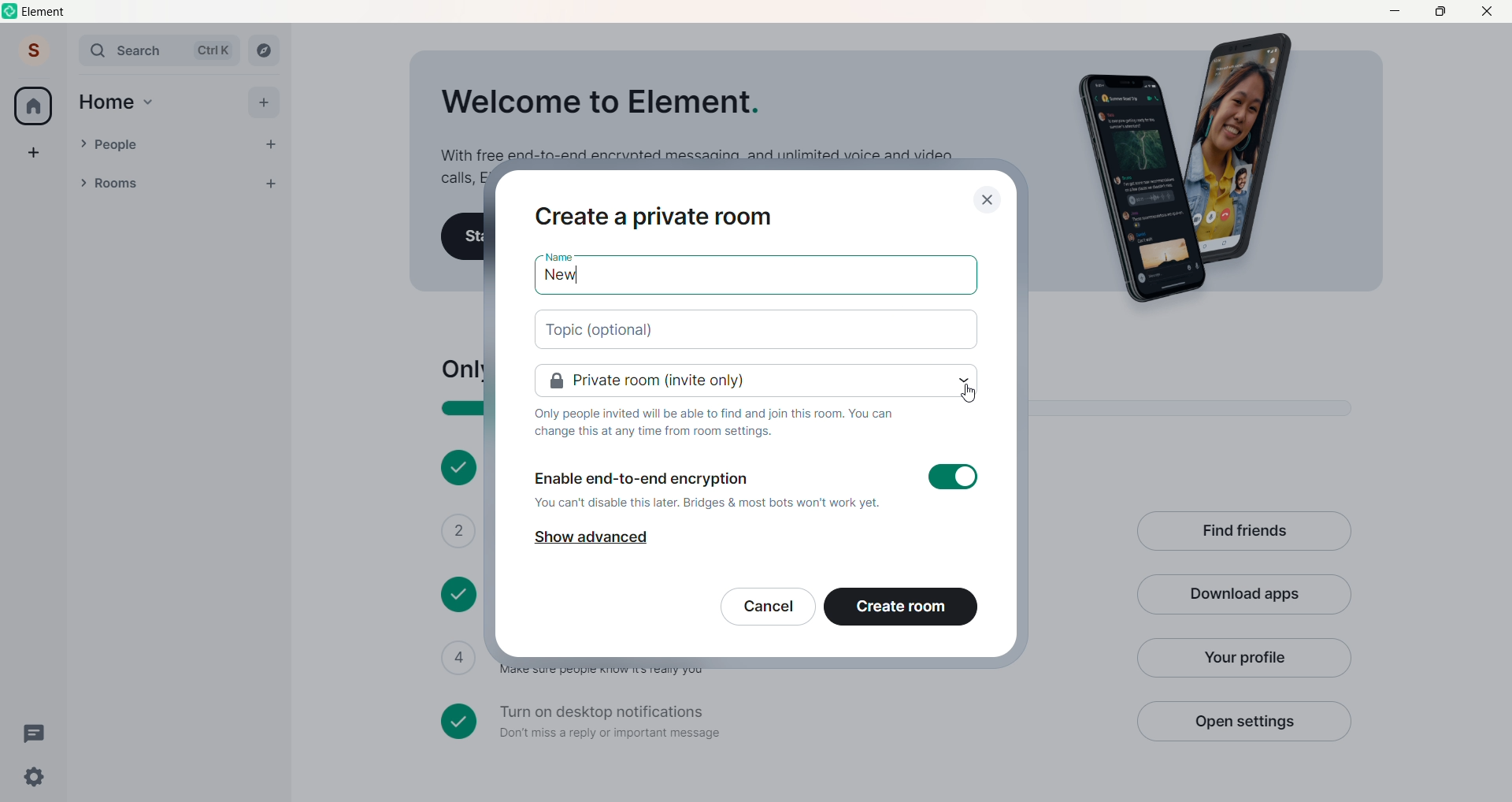 This screenshot has width=1512, height=802. Describe the element at coordinates (1194, 169) in the screenshot. I see `Graphics Image` at that location.